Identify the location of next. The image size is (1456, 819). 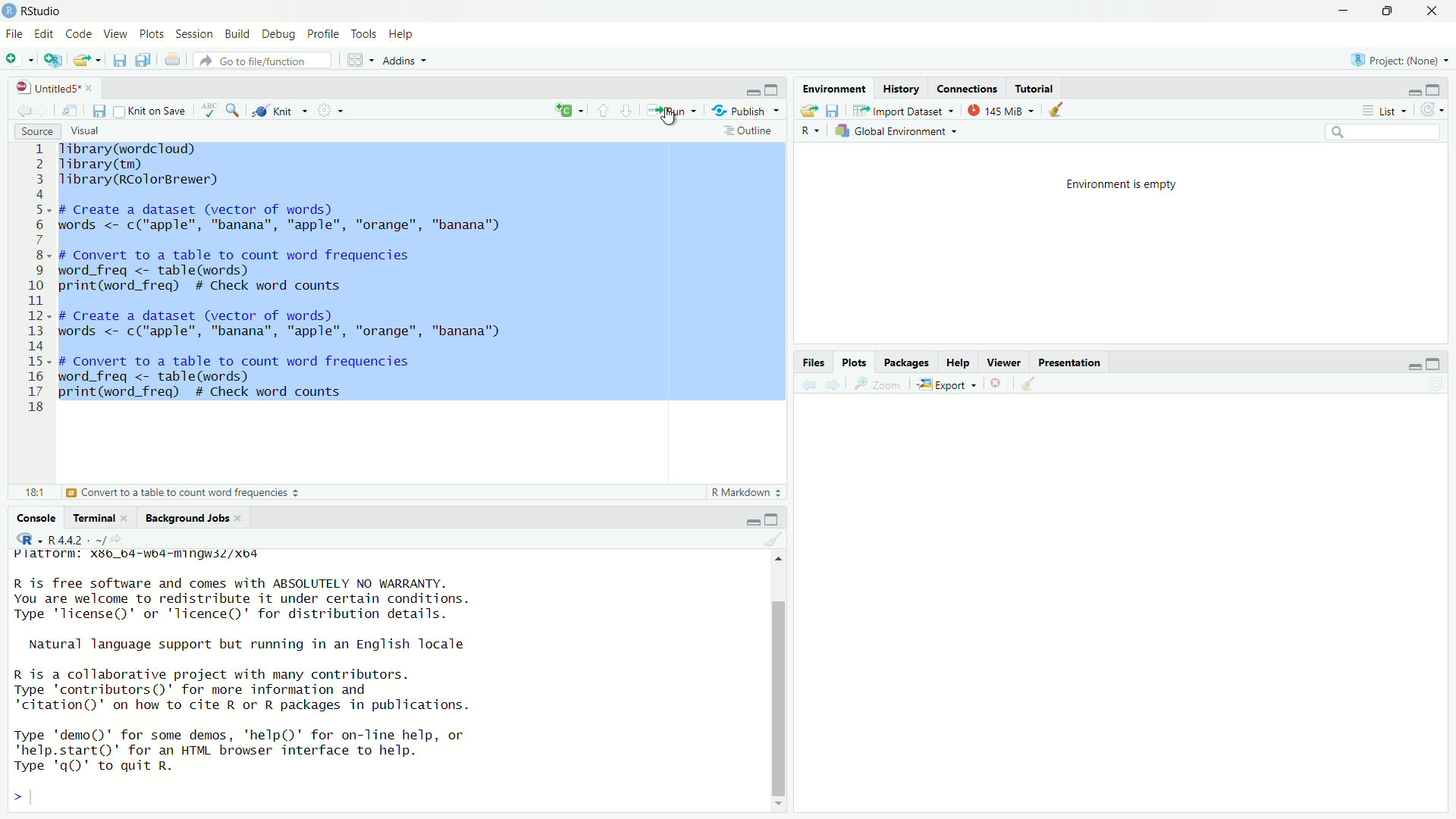
(833, 384).